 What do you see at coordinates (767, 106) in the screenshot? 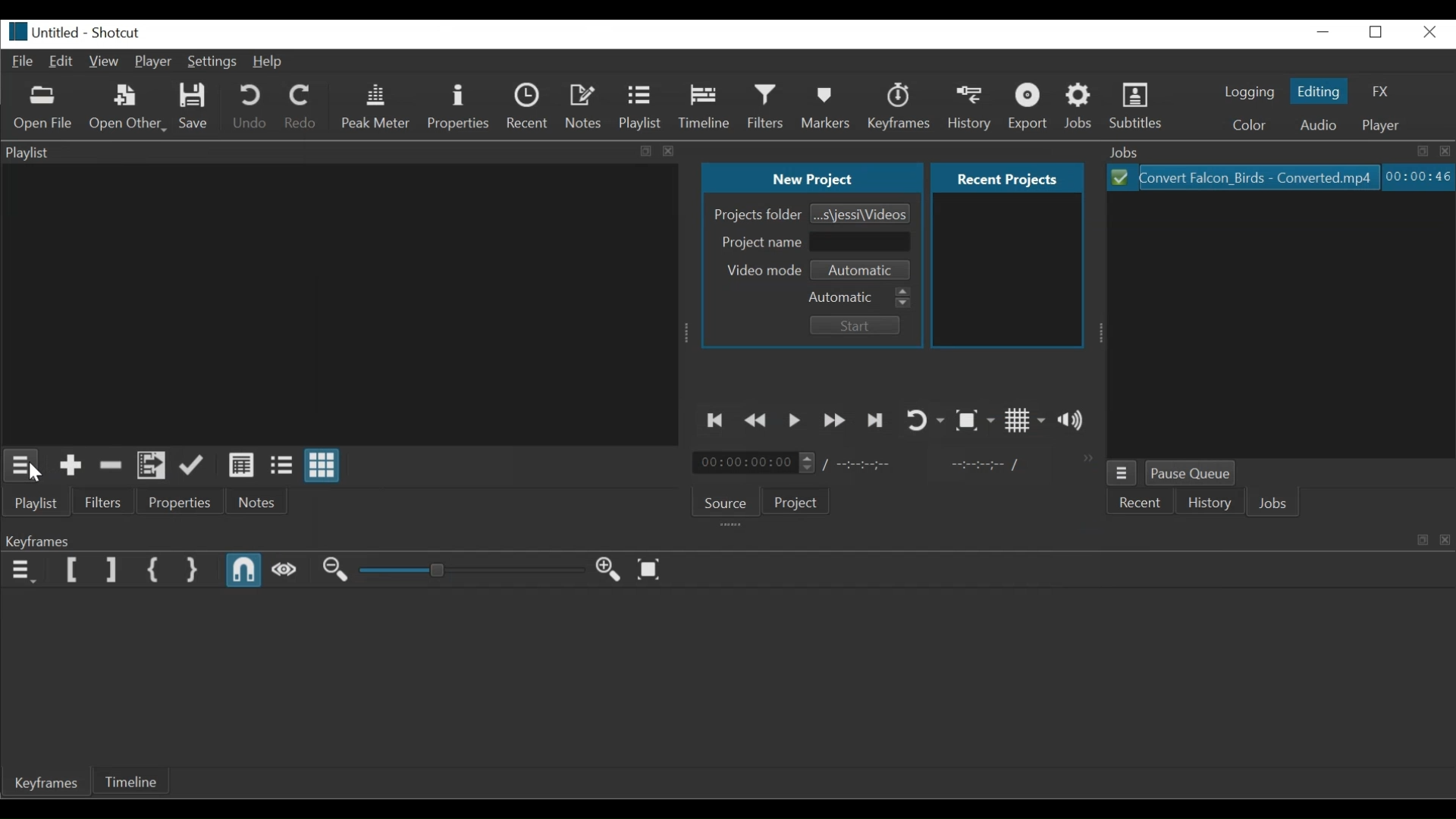
I see `Filters` at bounding box center [767, 106].